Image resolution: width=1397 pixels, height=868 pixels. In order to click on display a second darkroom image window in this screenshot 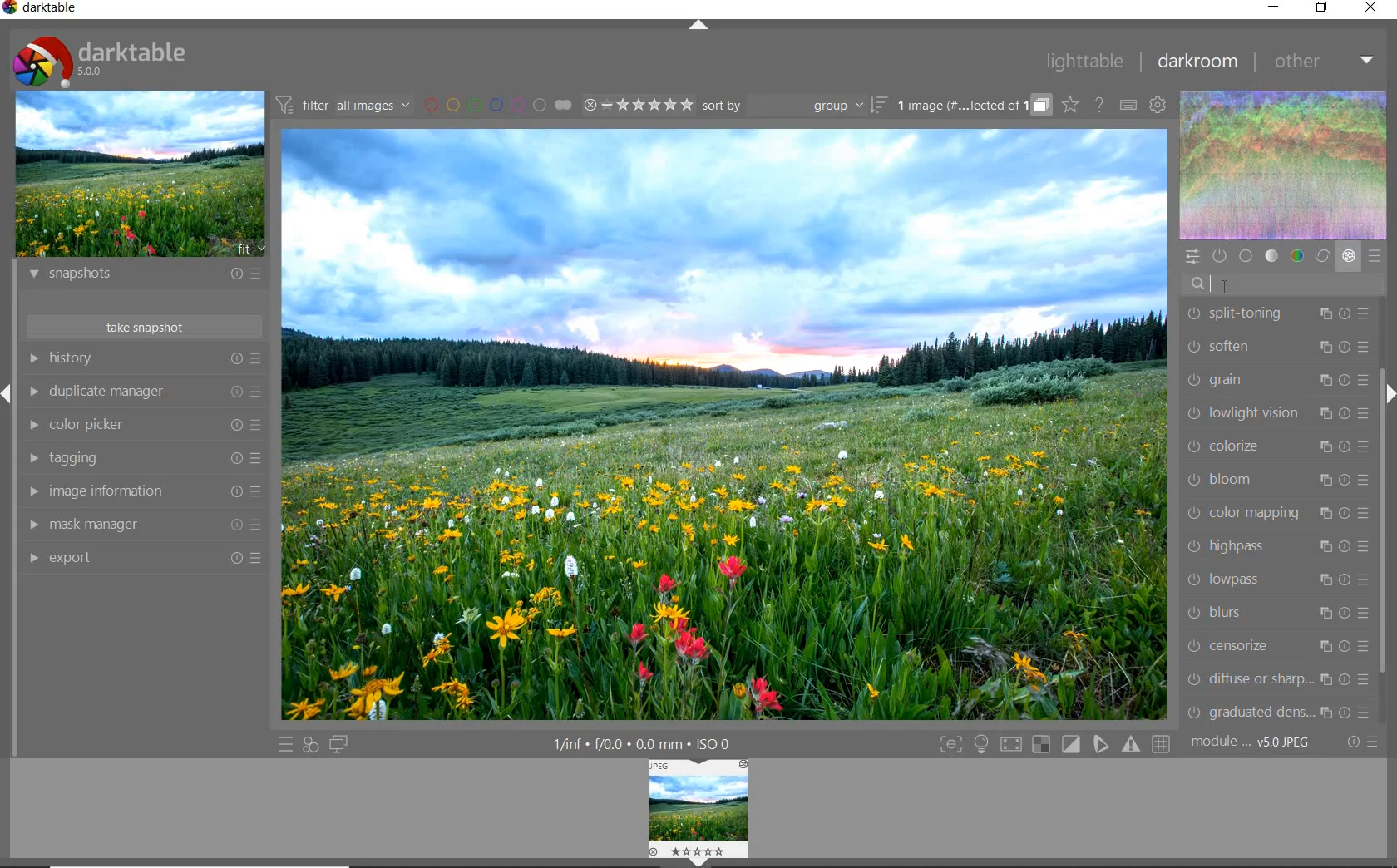, I will do `click(338, 743)`.